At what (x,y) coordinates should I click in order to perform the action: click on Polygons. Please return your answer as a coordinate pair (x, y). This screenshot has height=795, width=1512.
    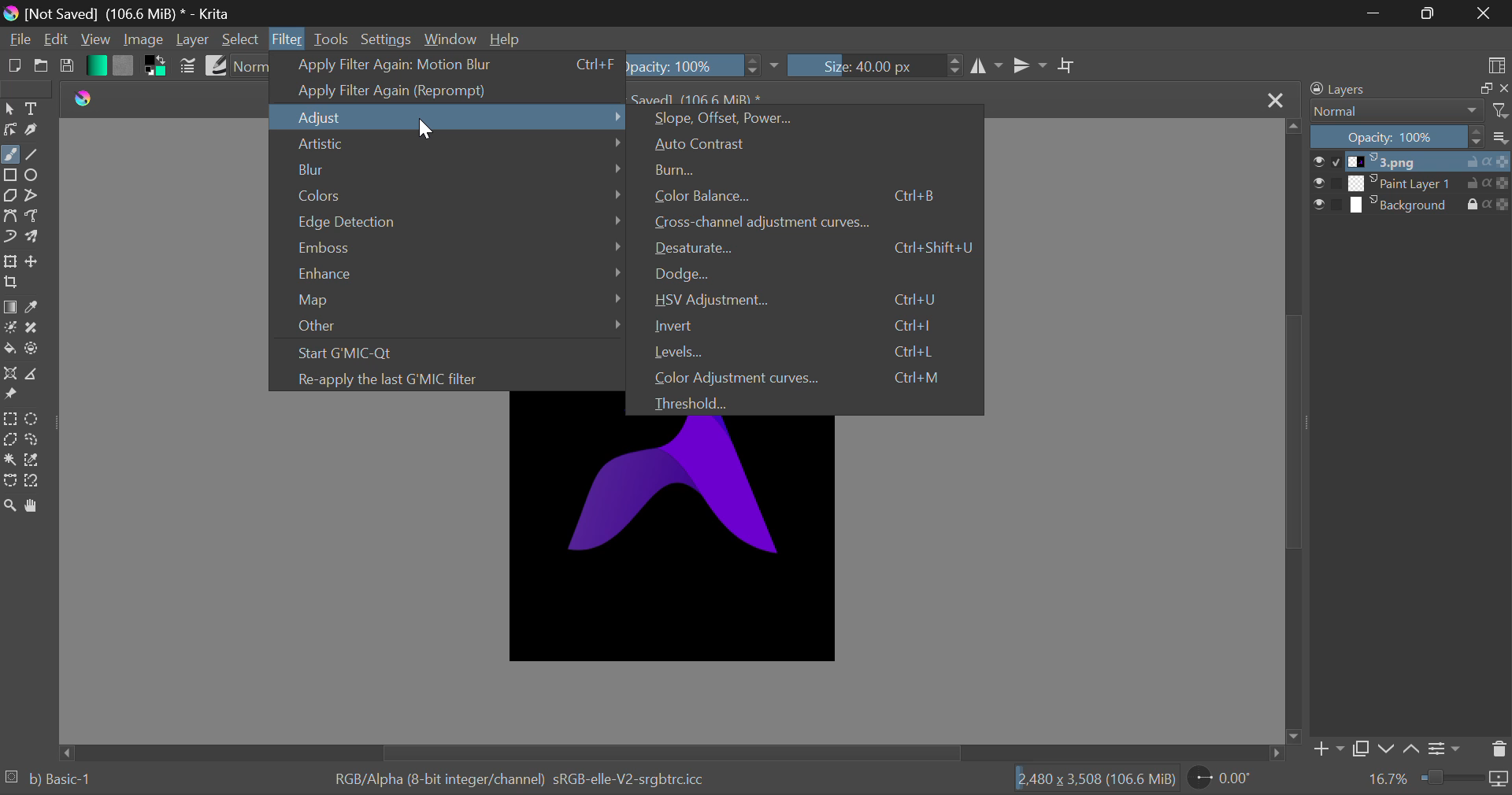
    Looking at the image, I should click on (9, 197).